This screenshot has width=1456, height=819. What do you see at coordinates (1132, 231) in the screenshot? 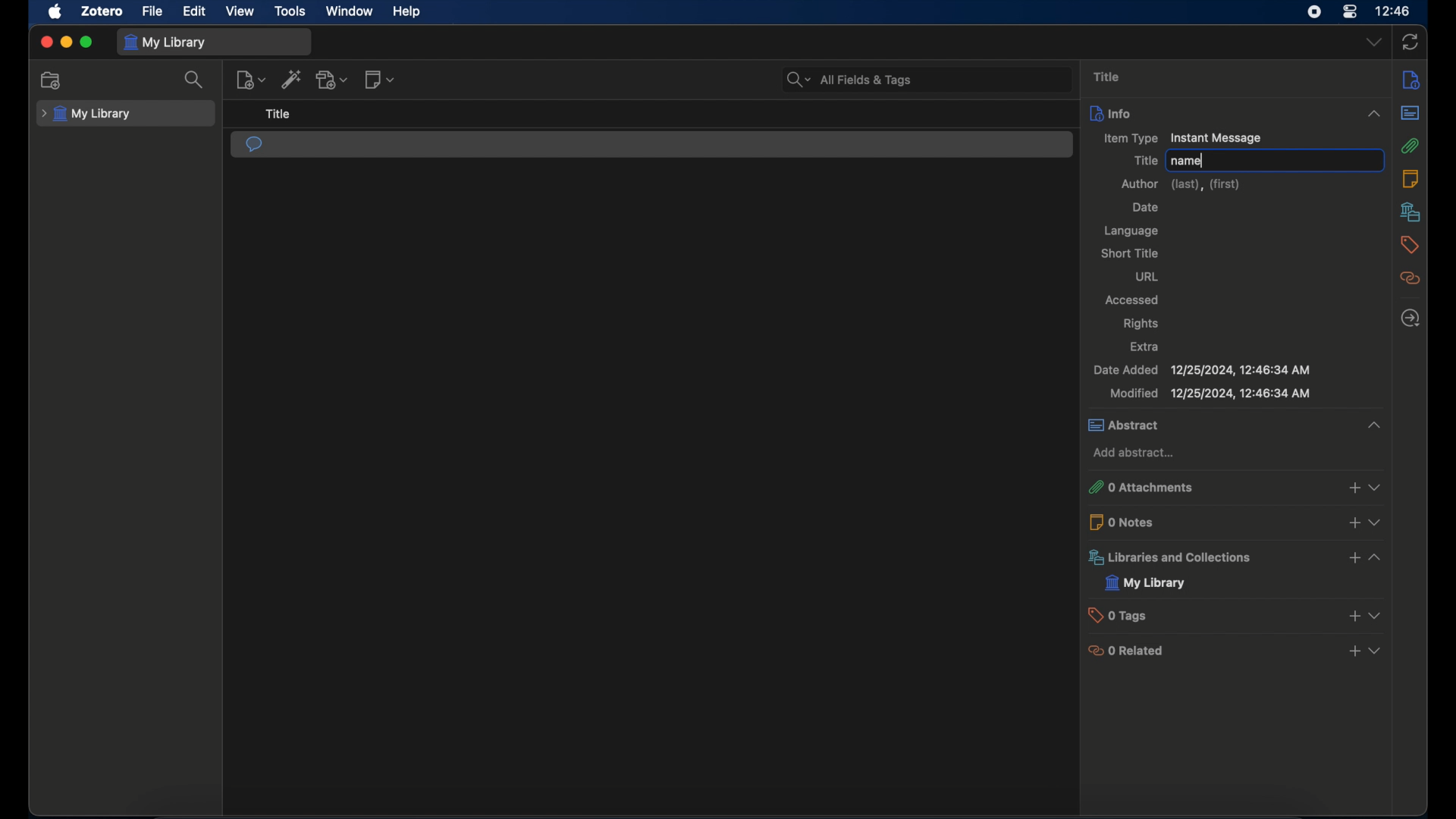
I see `language` at bounding box center [1132, 231].